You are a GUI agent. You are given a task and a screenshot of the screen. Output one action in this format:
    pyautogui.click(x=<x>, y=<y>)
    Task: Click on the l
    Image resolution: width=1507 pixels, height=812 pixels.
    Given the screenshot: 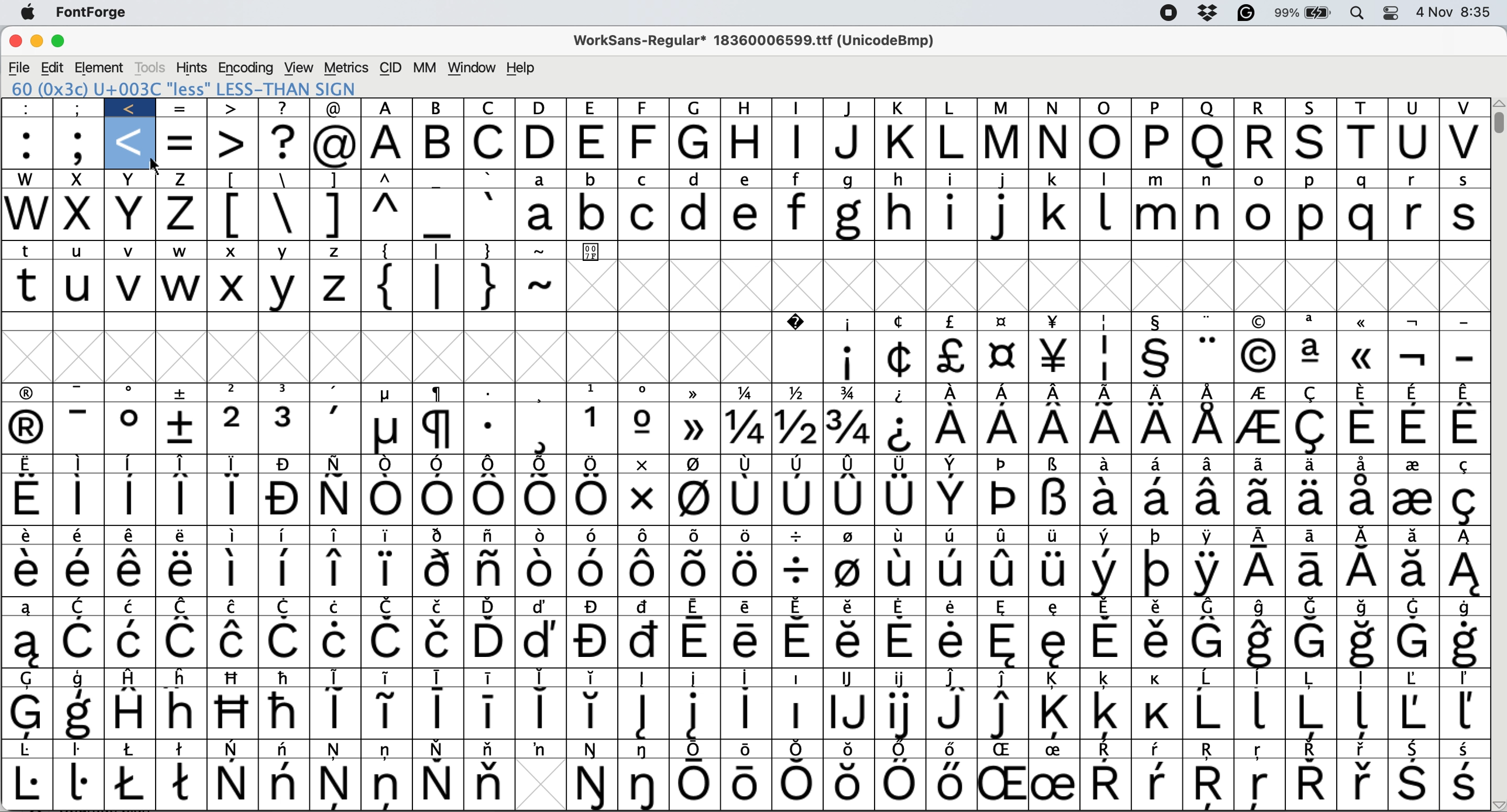 What is the action you would take?
    pyautogui.click(x=952, y=143)
    